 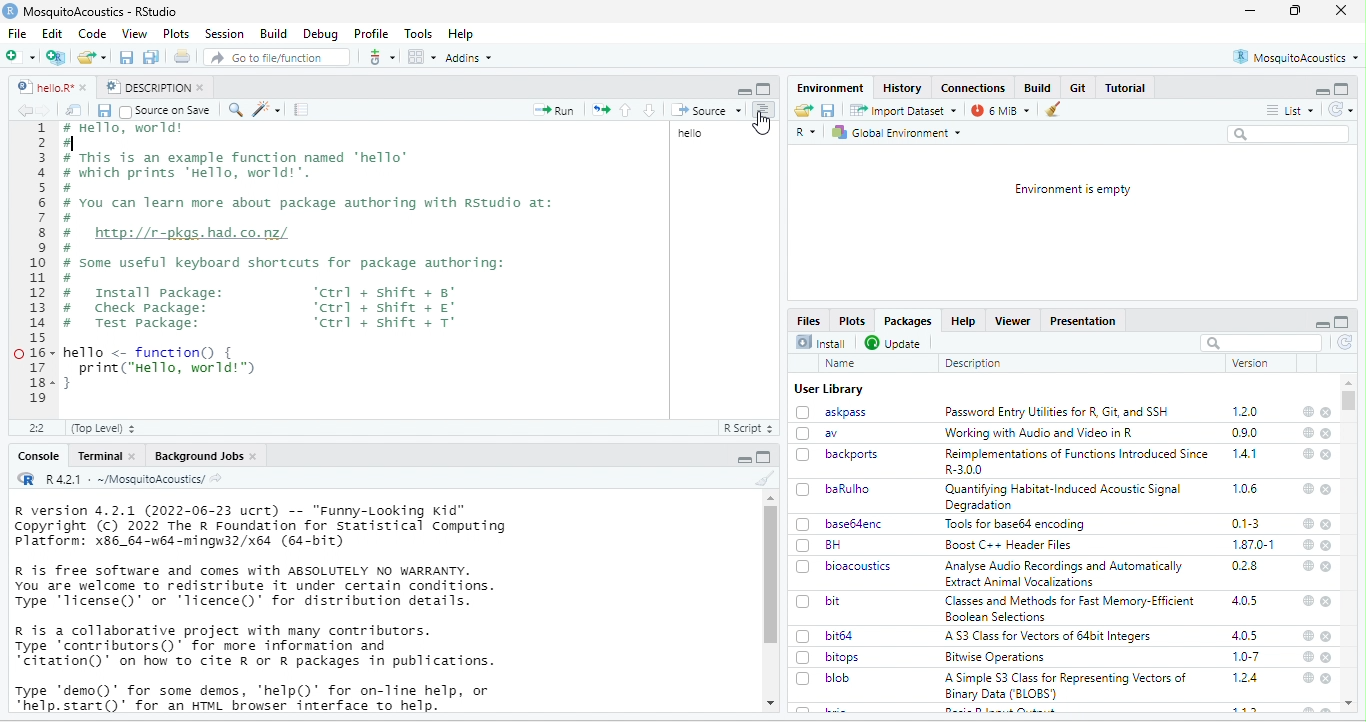 I want to click on help, so click(x=1306, y=434).